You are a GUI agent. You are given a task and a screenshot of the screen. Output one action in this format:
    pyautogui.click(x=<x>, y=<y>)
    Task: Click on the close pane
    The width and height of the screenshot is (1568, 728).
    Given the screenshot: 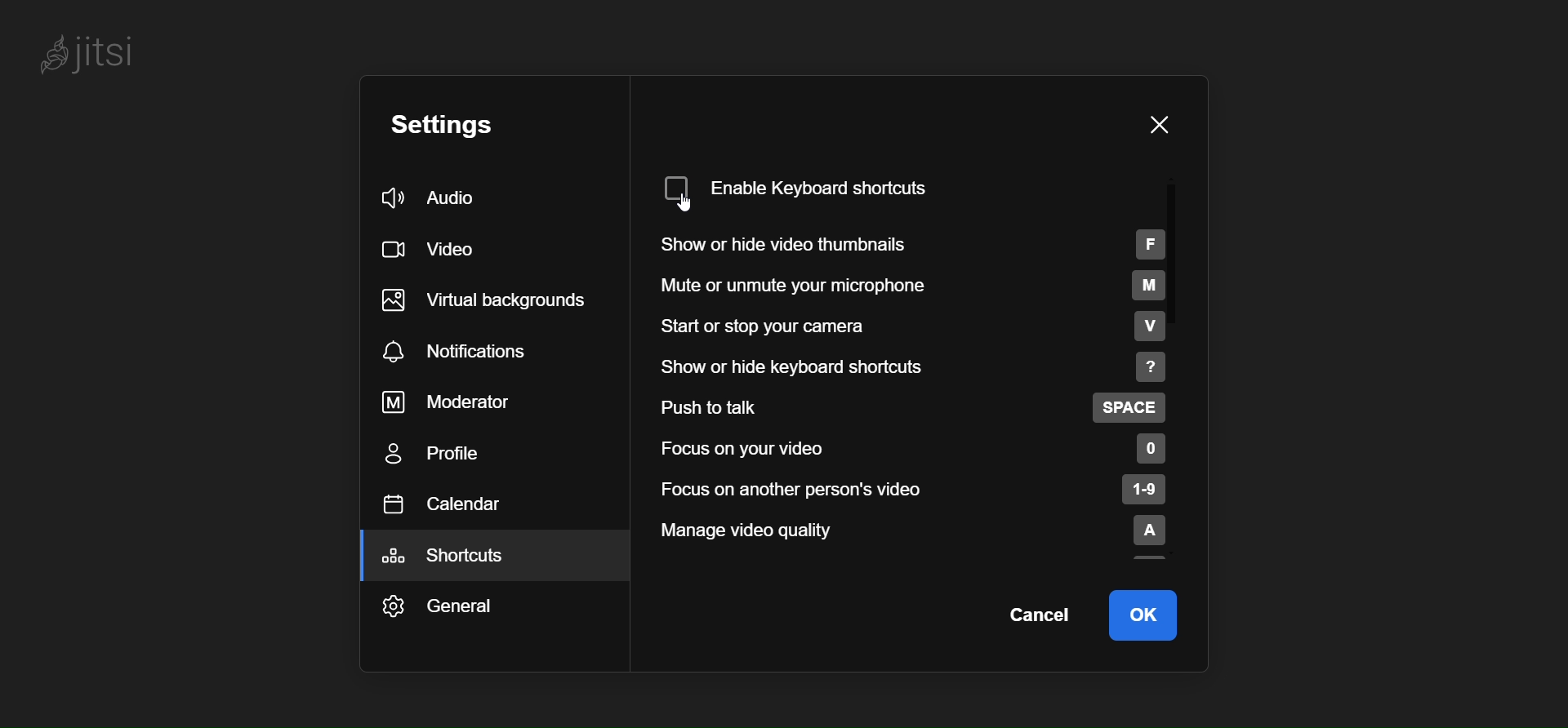 What is the action you would take?
    pyautogui.click(x=1160, y=123)
    